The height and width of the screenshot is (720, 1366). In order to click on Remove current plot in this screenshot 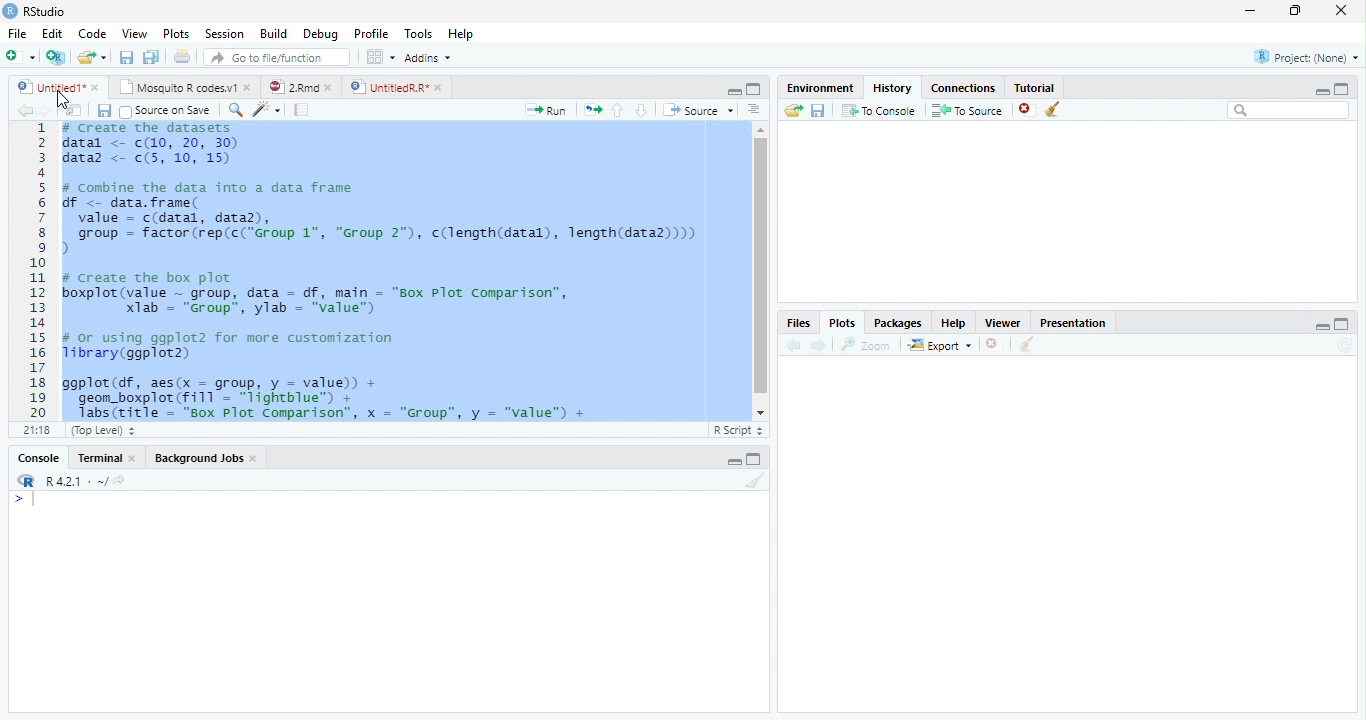, I will do `click(995, 344)`.